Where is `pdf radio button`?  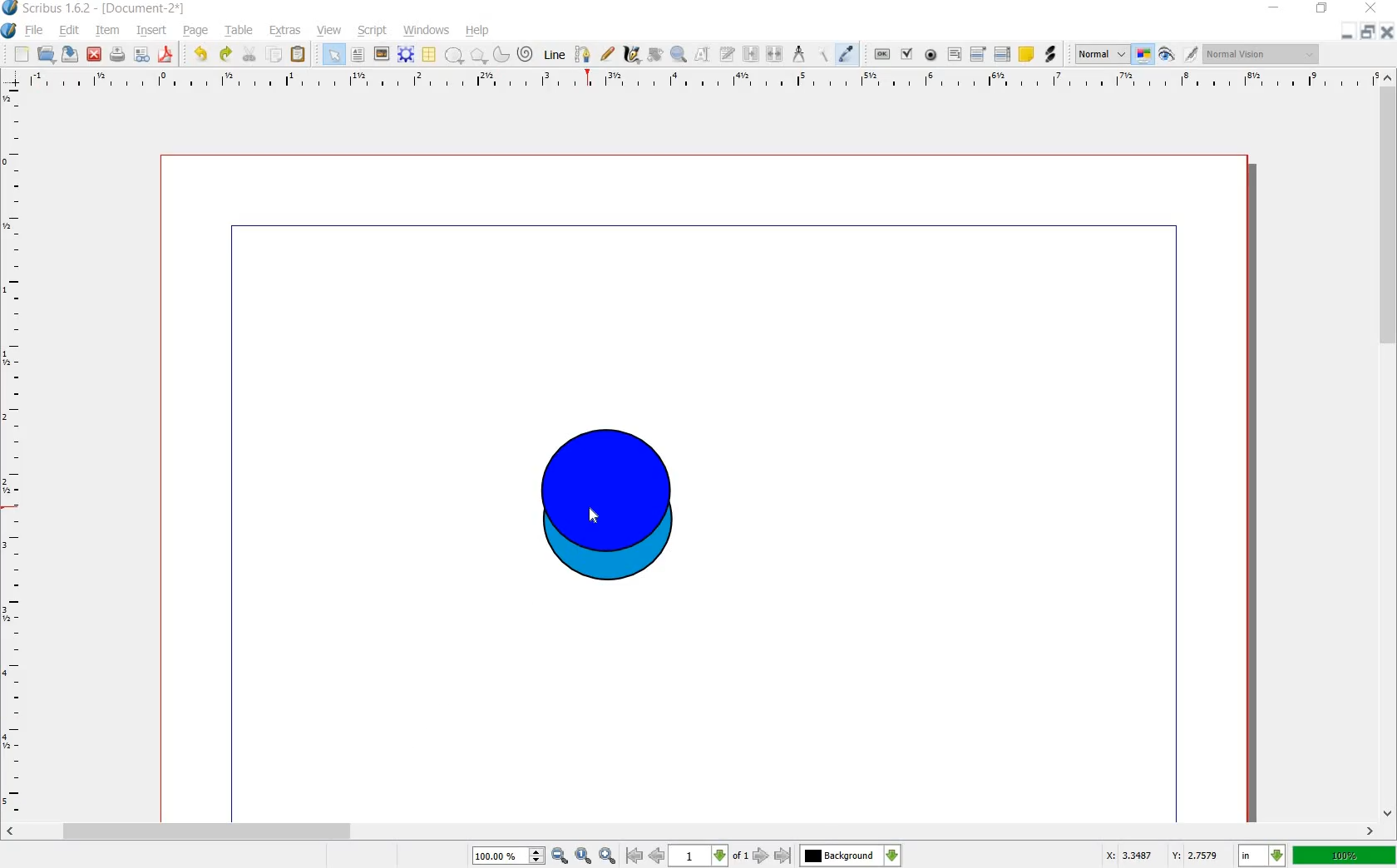 pdf radio button is located at coordinates (930, 55).